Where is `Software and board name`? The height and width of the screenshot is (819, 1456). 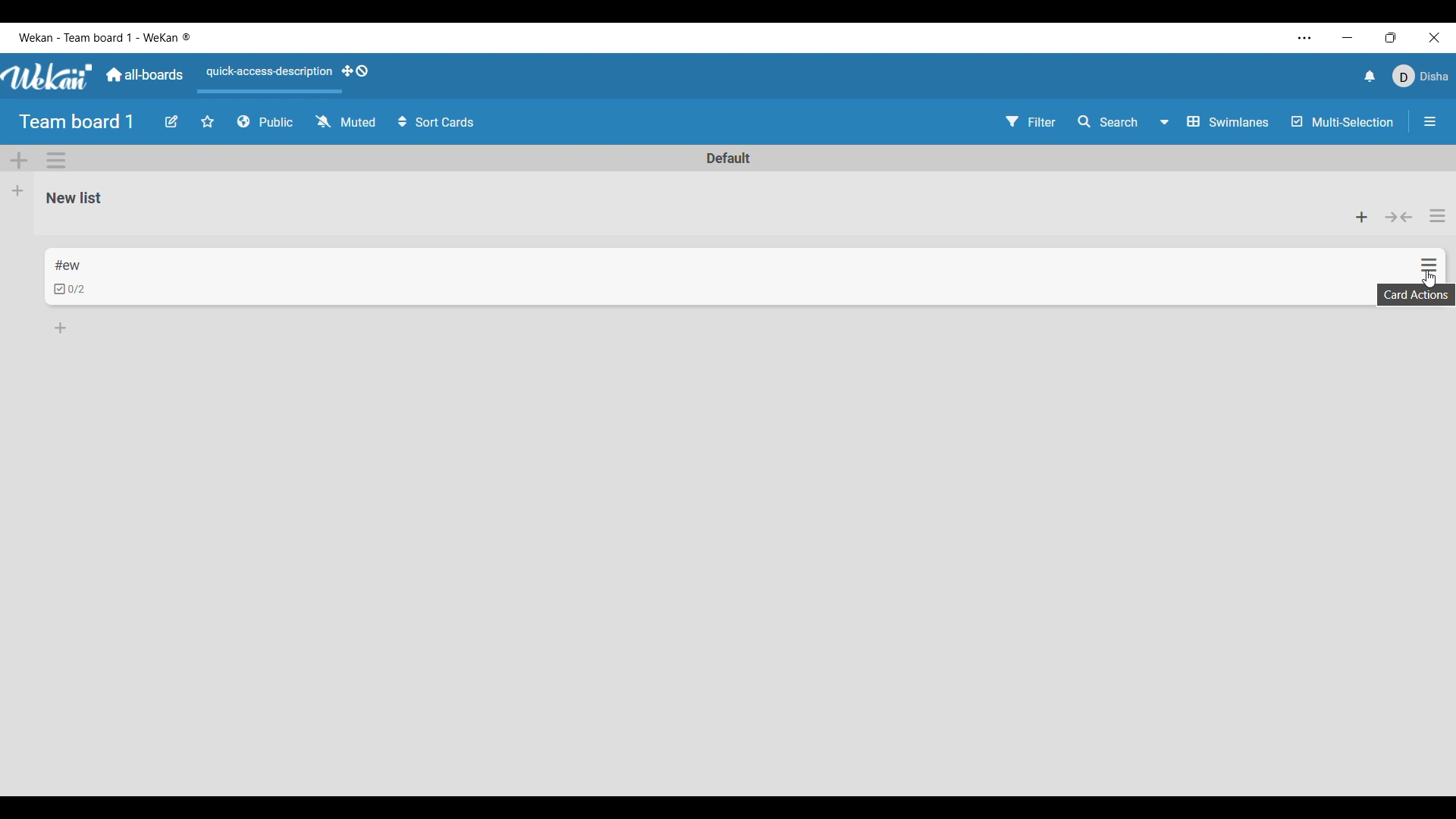
Software and board name is located at coordinates (105, 37).